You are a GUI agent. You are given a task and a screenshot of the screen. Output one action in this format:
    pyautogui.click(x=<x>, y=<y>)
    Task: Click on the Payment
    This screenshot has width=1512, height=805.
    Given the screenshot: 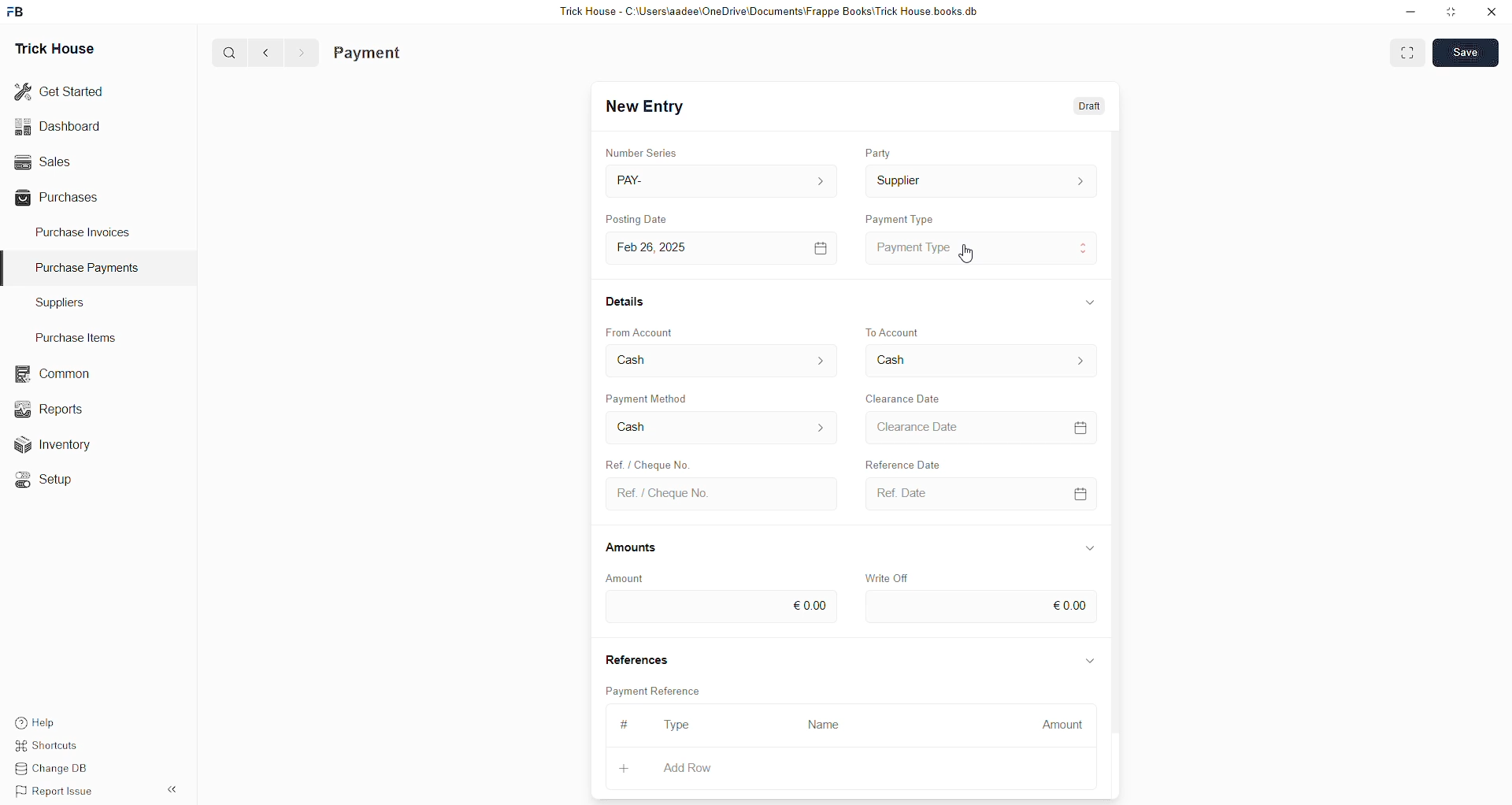 What is the action you would take?
    pyautogui.click(x=370, y=52)
    